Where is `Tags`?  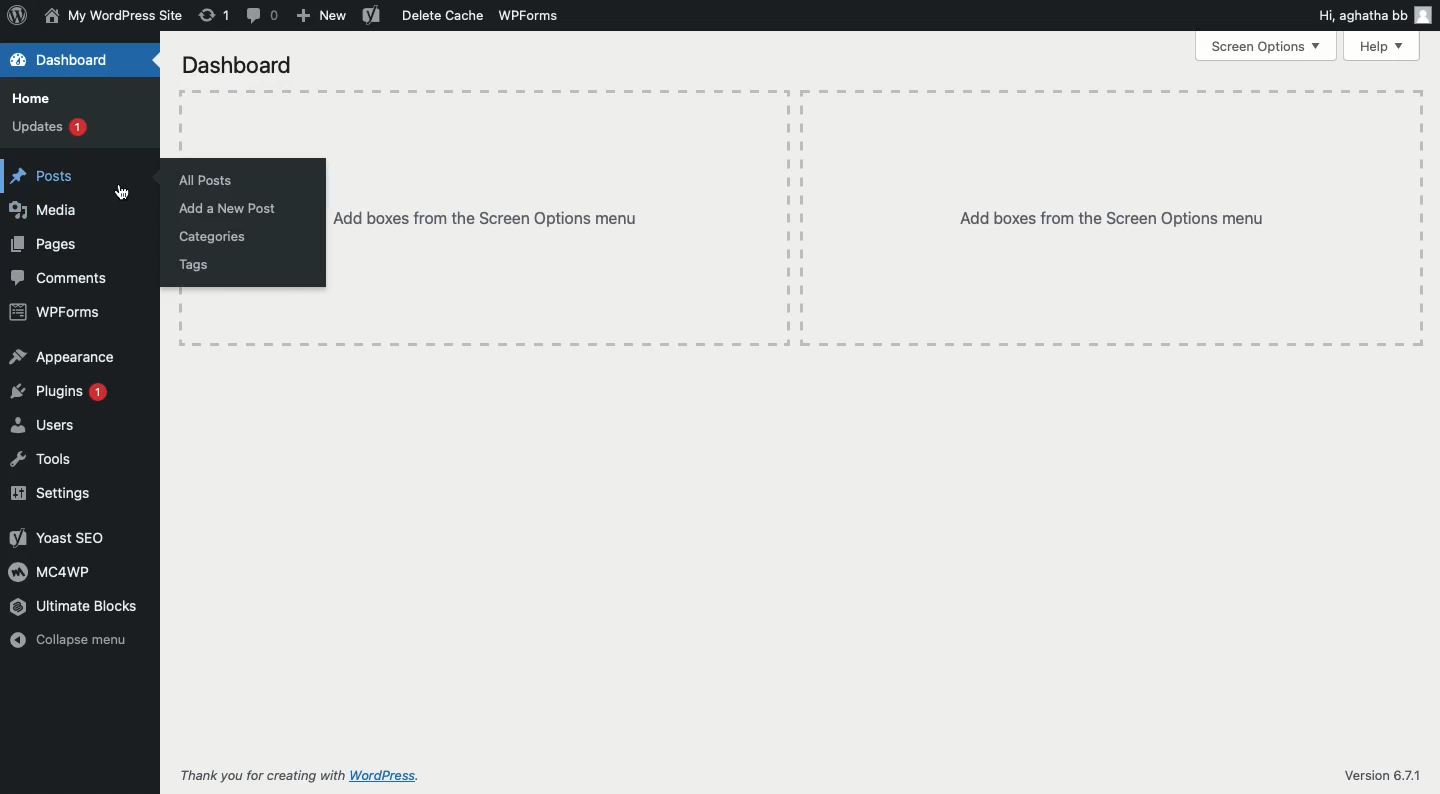 Tags is located at coordinates (196, 264).